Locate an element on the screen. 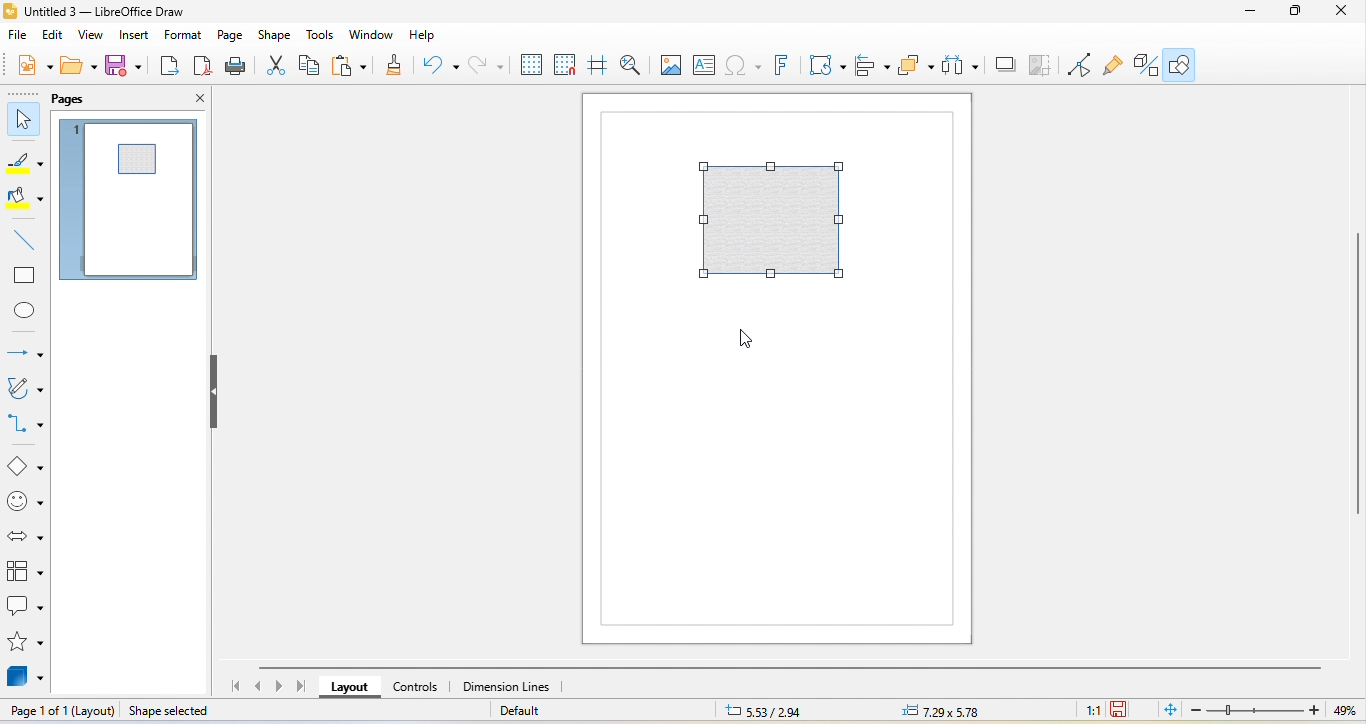 Image resolution: width=1366 pixels, height=724 pixels. open is located at coordinates (80, 69).